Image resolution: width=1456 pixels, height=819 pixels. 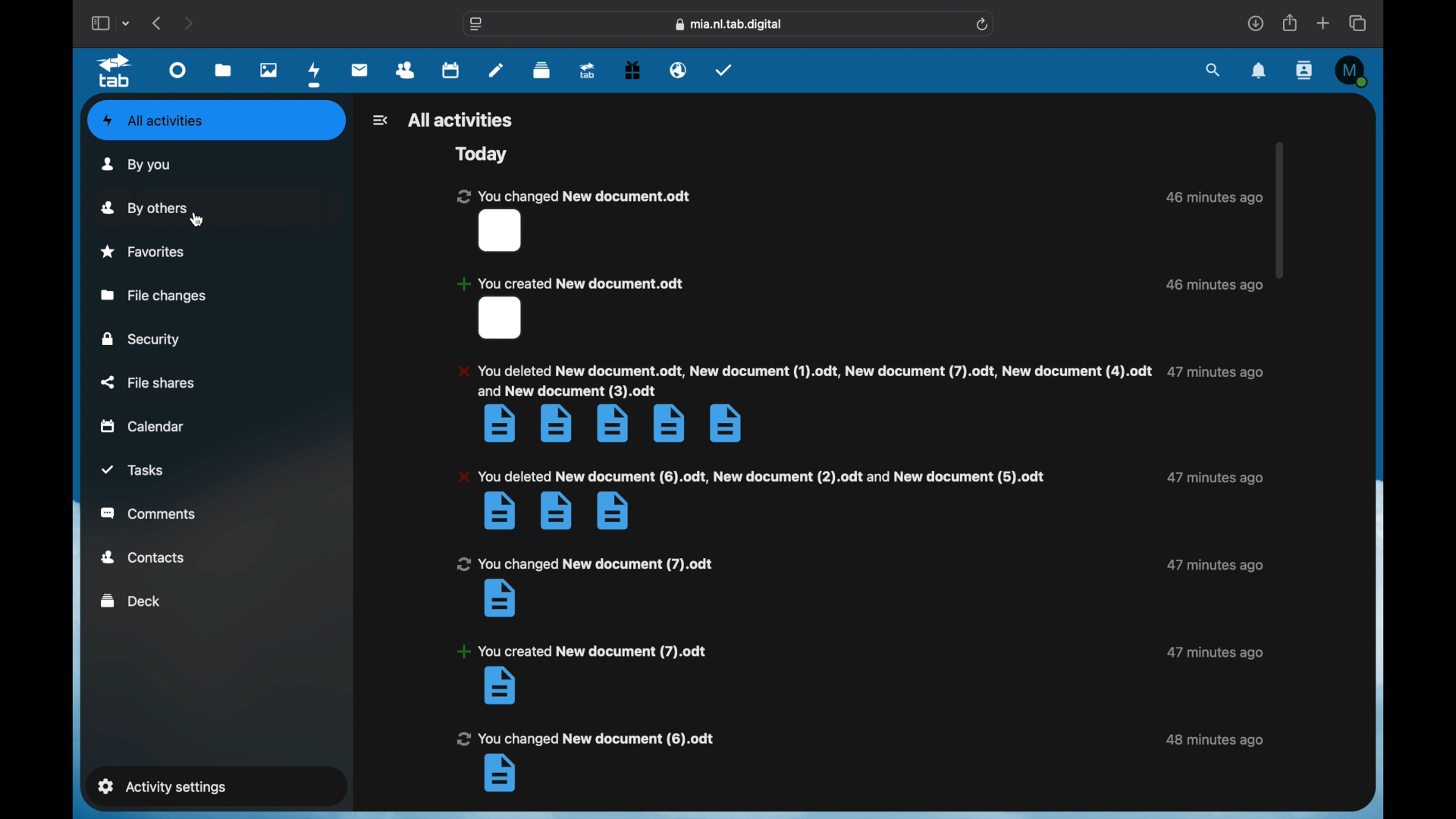 What do you see at coordinates (127, 23) in the screenshot?
I see `tab group picker` at bounding box center [127, 23].